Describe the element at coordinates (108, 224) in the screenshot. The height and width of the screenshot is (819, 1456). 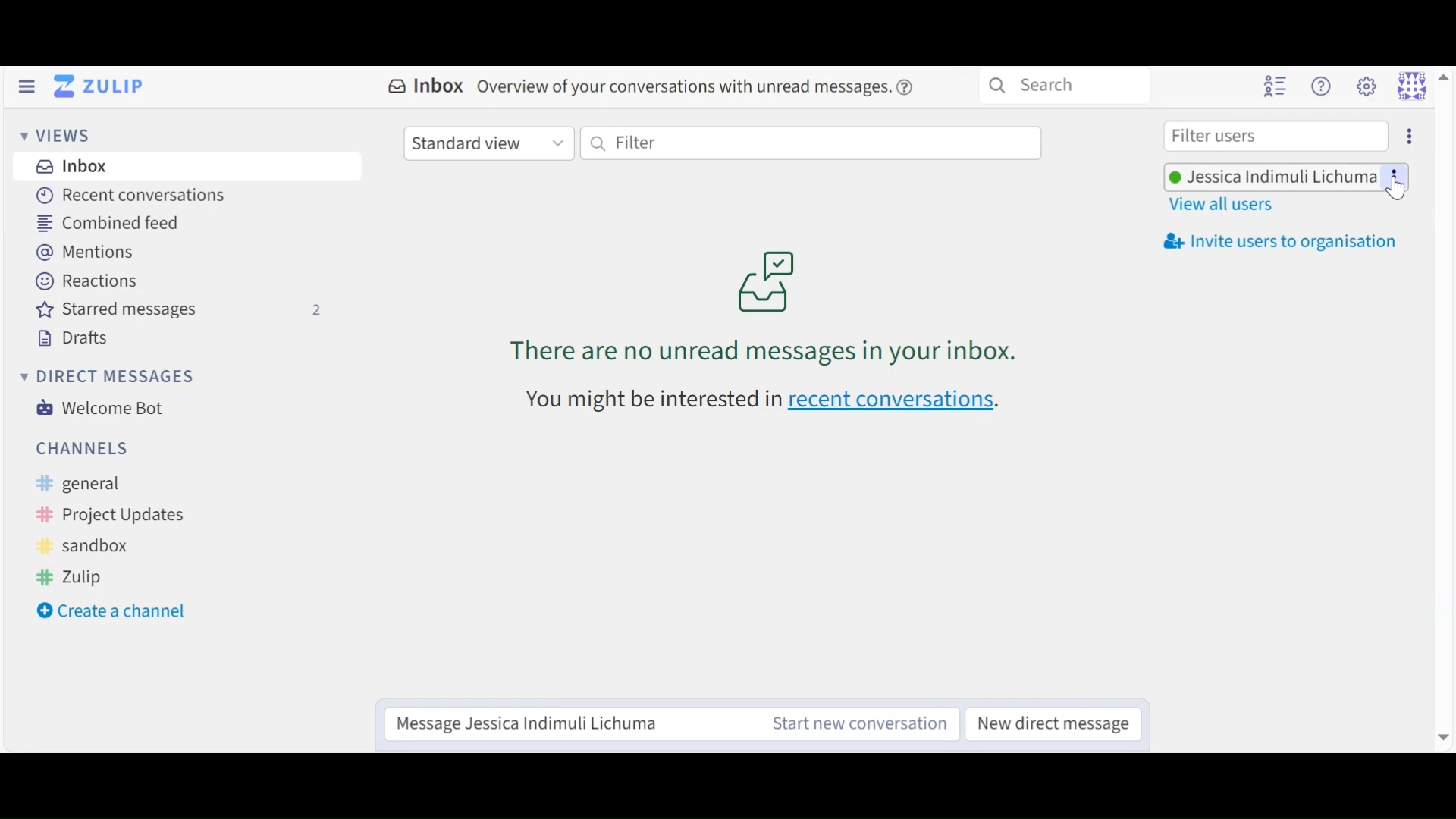
I see `Combined Feed` at that location.